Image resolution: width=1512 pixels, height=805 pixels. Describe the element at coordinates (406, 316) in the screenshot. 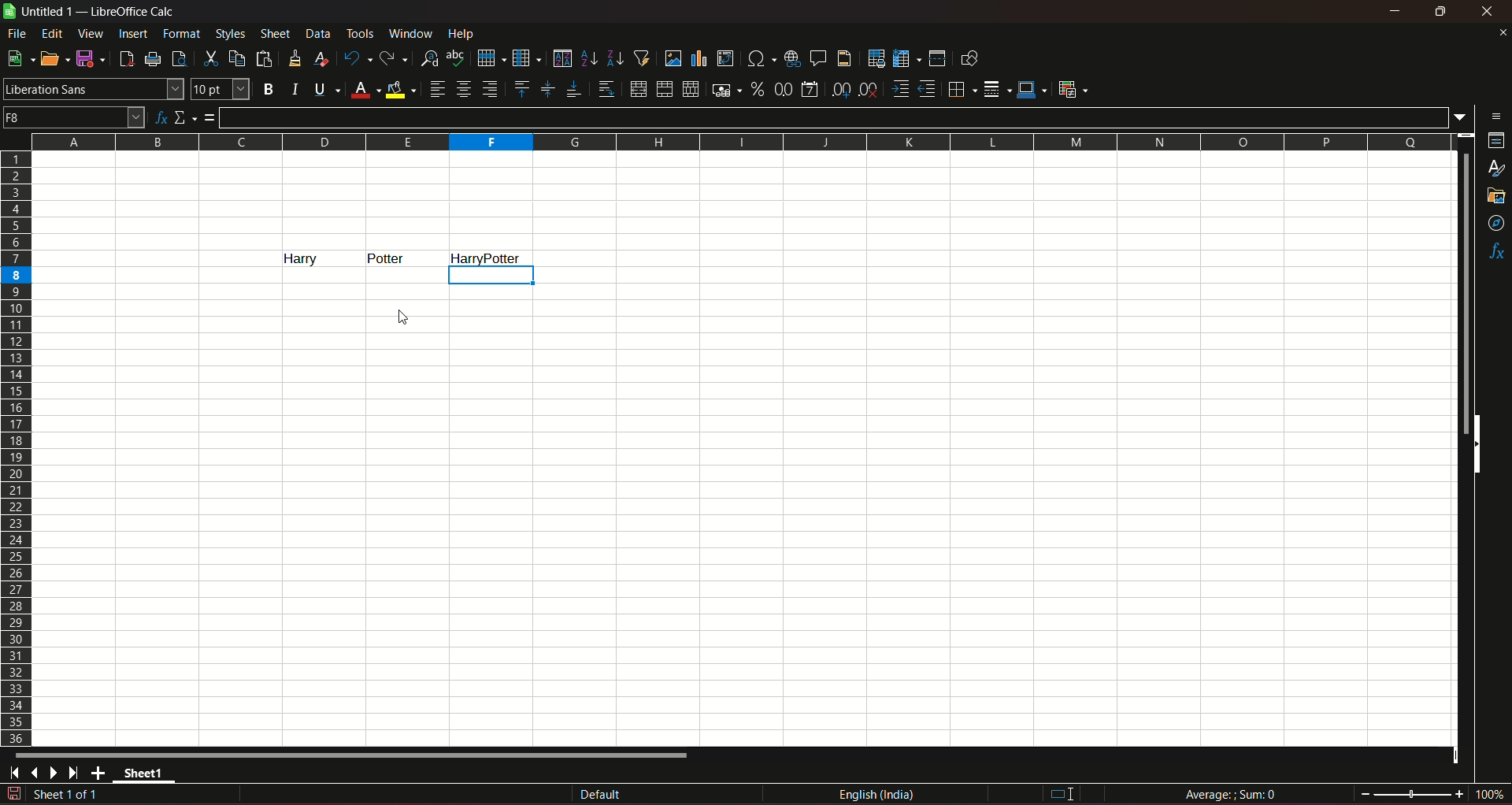

I see `cursor` at that location.